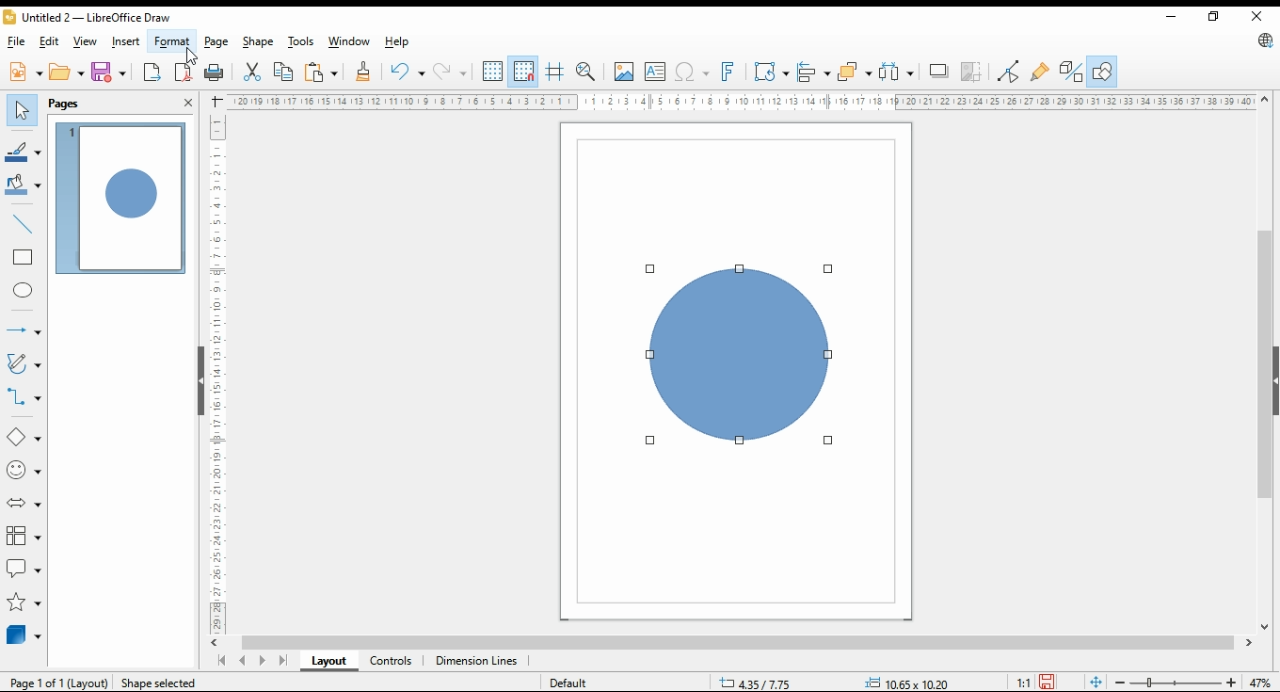 This screenshot has width=1280, height=692. What do you see at coordinates (1173, 18) in the screenshot?
I see `minimize` at bounding box center [1173, 18].